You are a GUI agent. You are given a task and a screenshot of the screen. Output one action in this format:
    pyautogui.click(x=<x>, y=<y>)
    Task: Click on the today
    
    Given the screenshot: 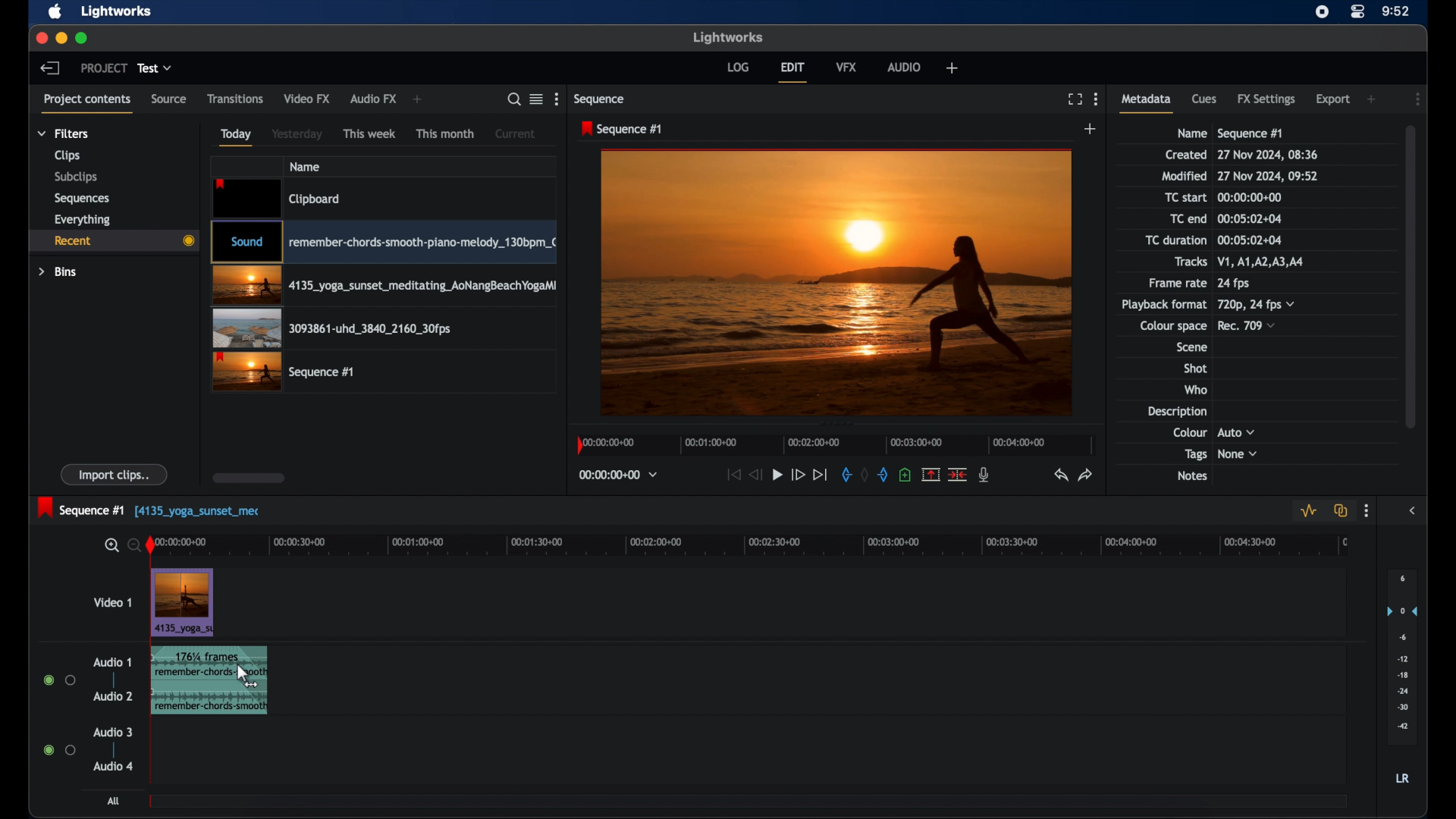 What is the action you would take?
    pyautogui.click(x=236, y=137)
    